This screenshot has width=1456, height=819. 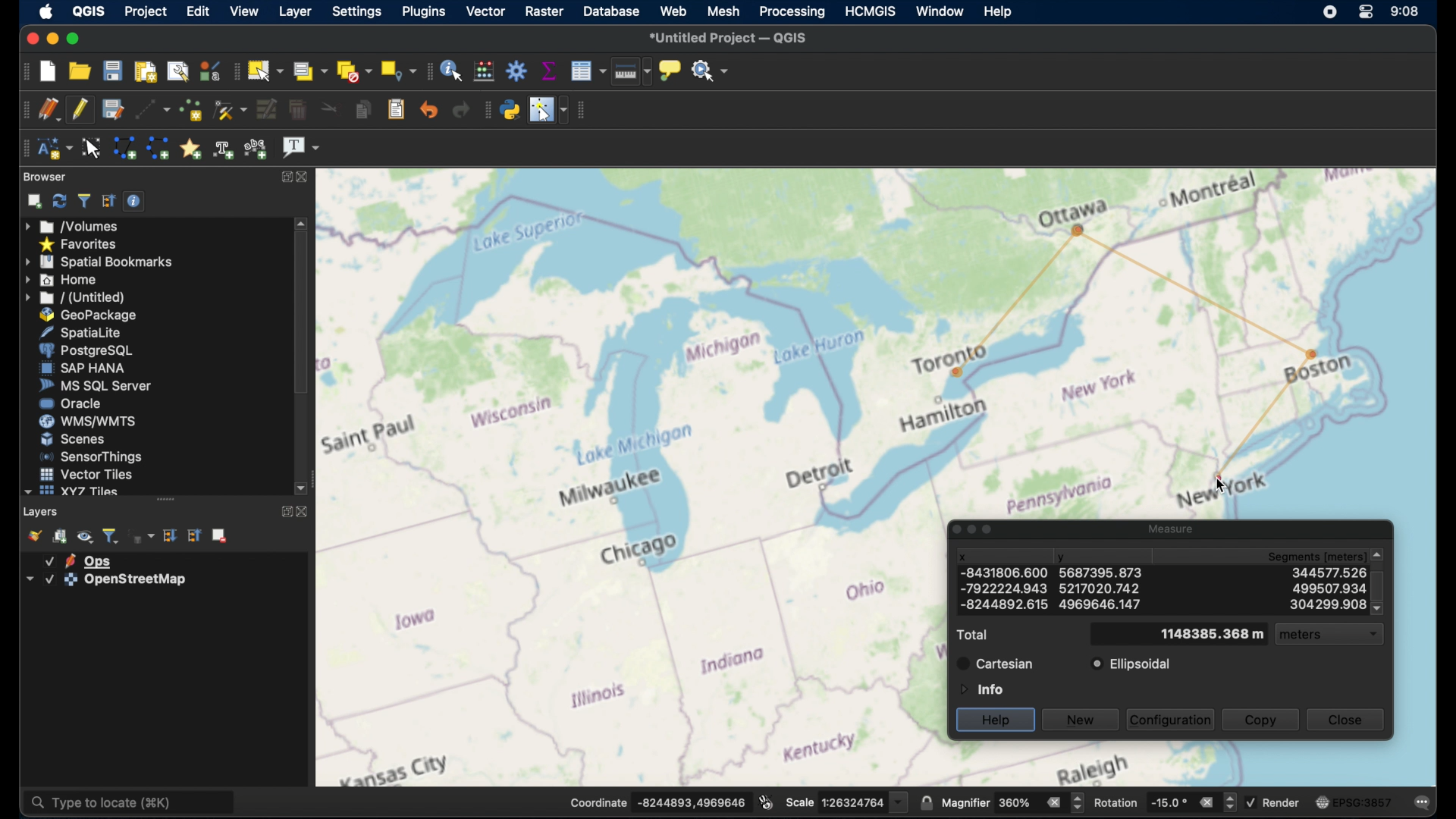 I want to click on annotation toolbar, so click(x=25, y=149).